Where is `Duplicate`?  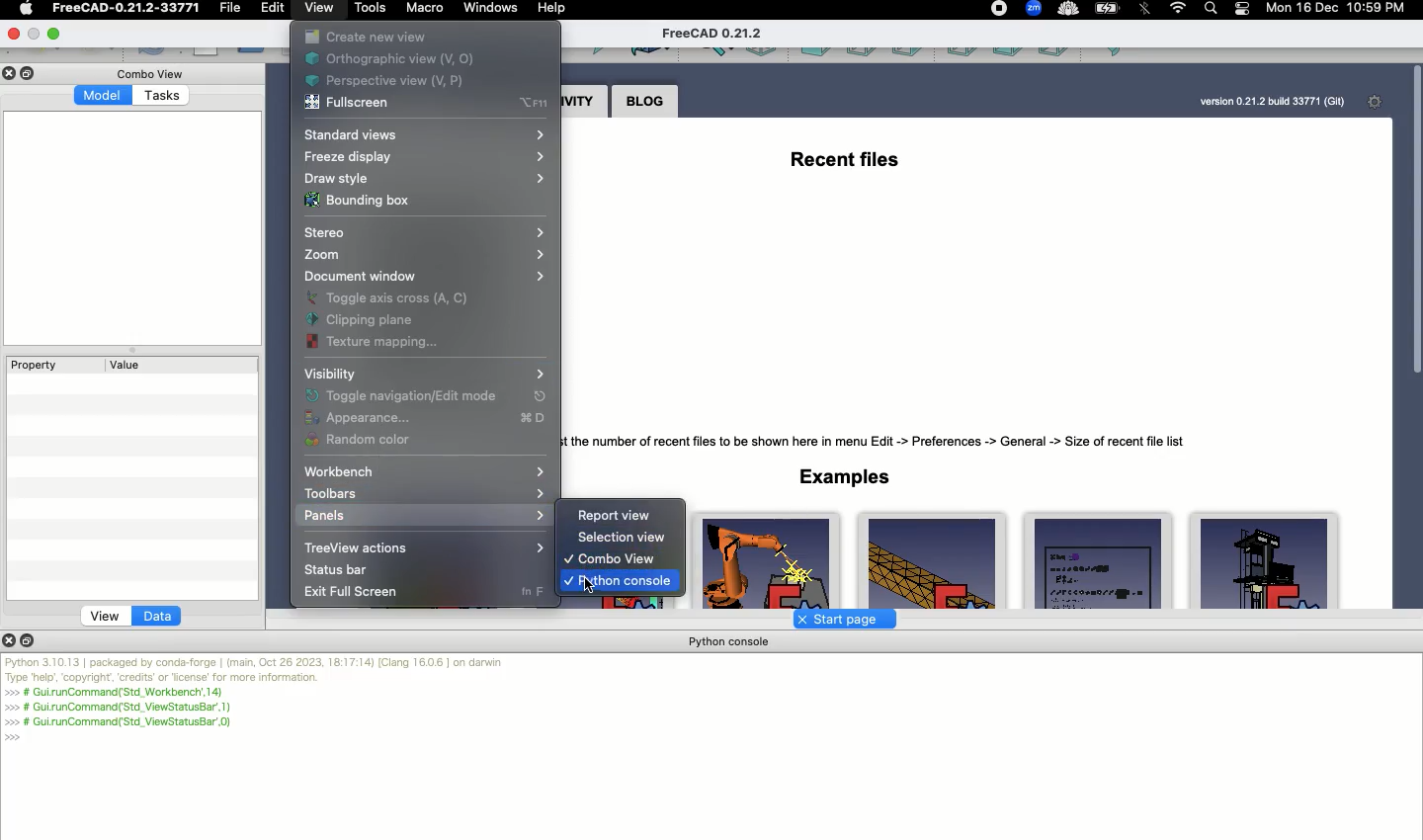
Duplicate is located at coordinates (31, 639).